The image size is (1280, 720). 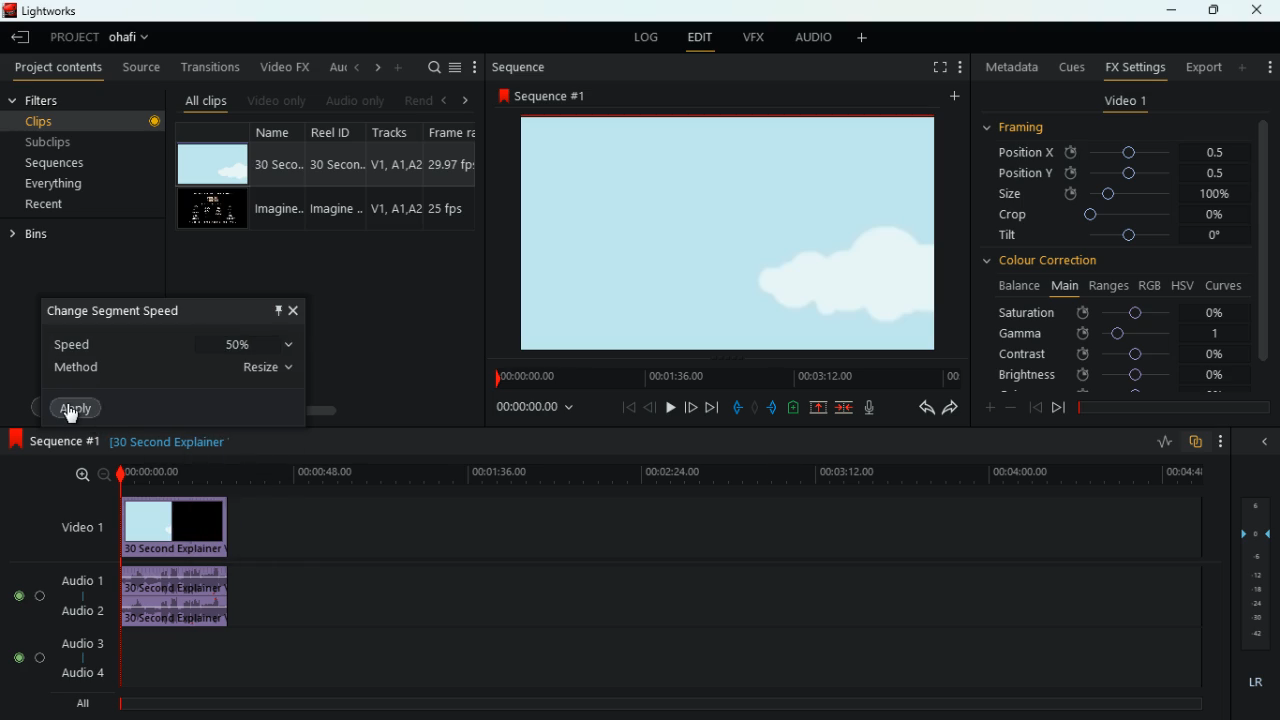 I want to click on all clips, so click(x=202, y=98).